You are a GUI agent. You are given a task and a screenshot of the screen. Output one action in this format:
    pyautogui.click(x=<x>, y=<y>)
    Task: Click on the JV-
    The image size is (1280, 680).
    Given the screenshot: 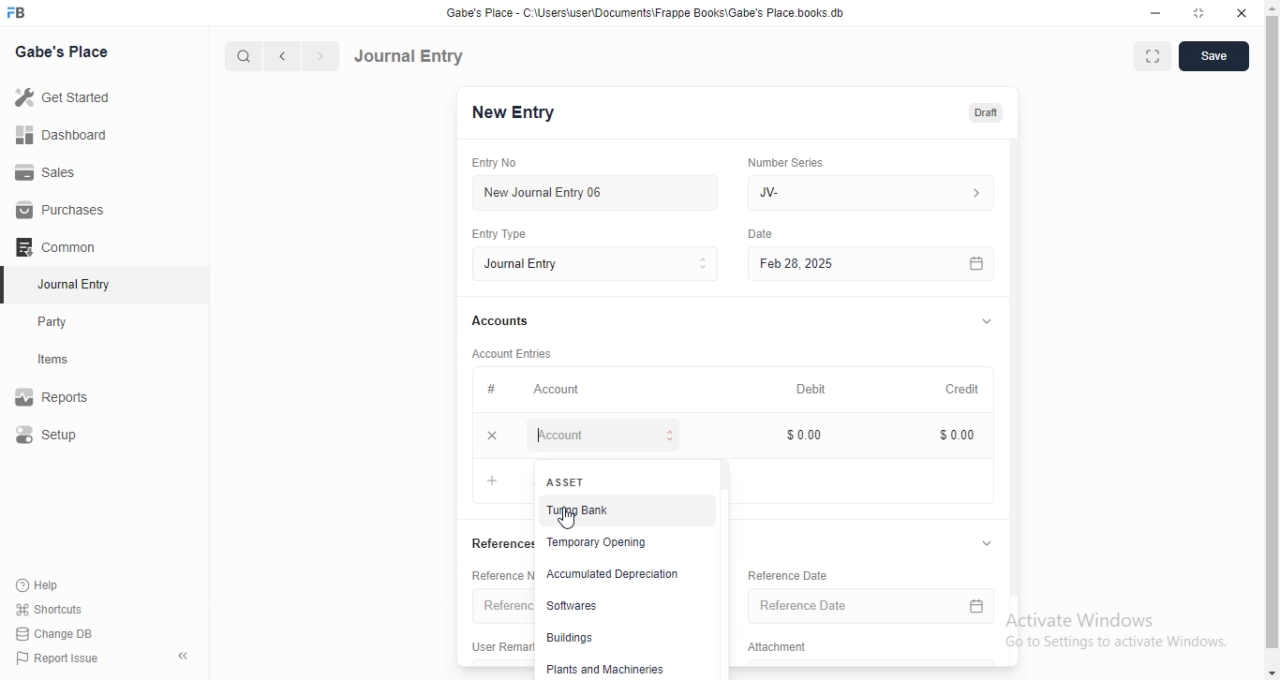 What is the action you would take?
    pyautogui.click(x=874, y=190)
    